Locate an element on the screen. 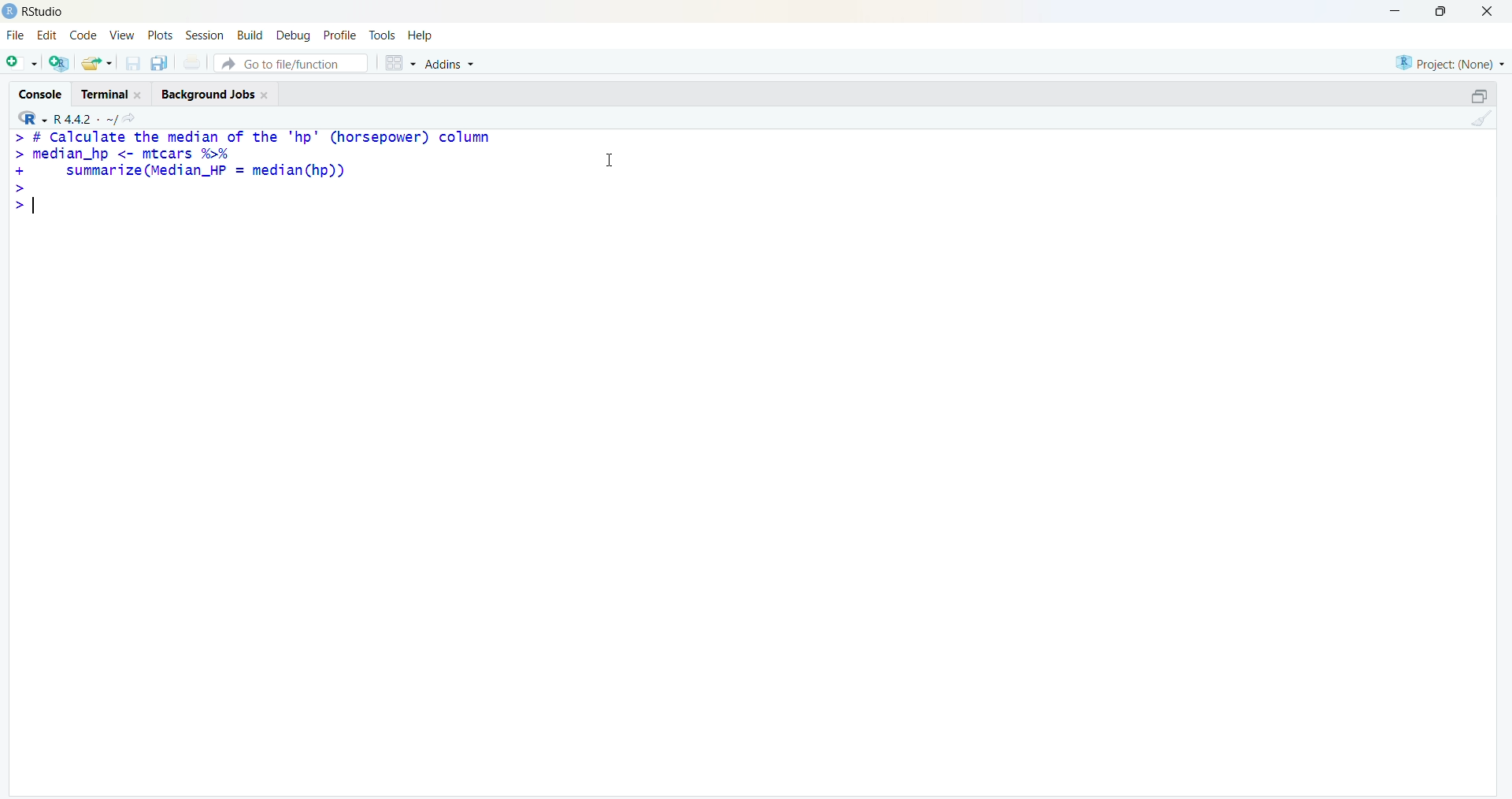 The image size is (1512, 799). close is located at coordinates (1488, 10).